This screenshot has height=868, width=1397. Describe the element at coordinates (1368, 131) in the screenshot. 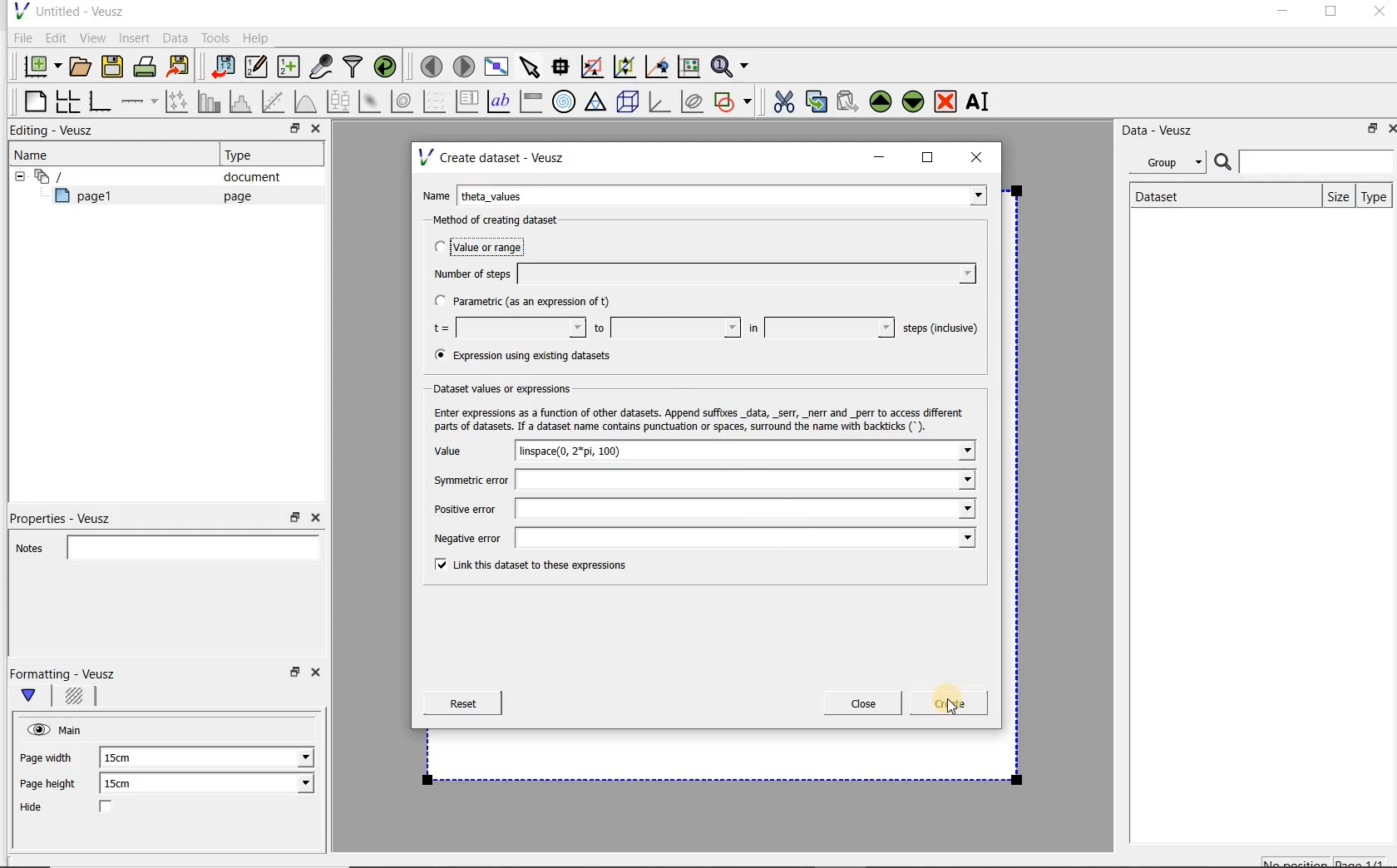

I see `restore down` at that location.